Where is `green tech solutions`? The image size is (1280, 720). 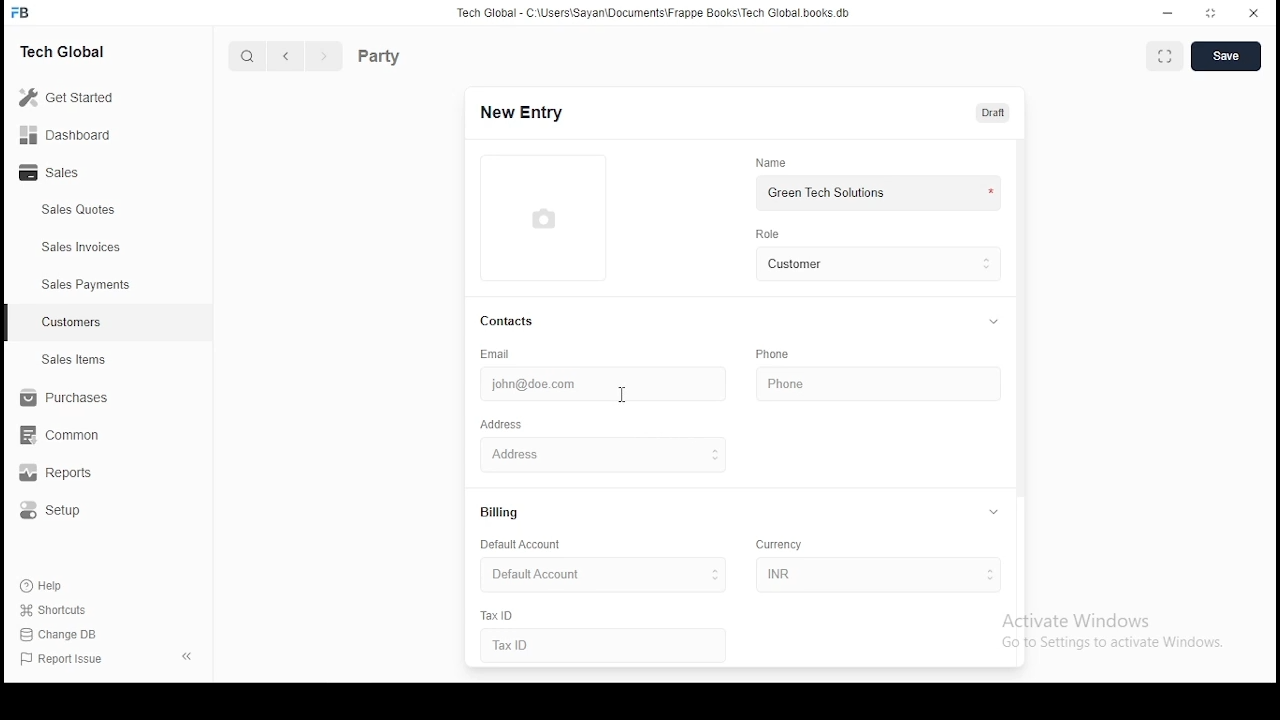
green tech solutions is located at coordinates (876, 191).